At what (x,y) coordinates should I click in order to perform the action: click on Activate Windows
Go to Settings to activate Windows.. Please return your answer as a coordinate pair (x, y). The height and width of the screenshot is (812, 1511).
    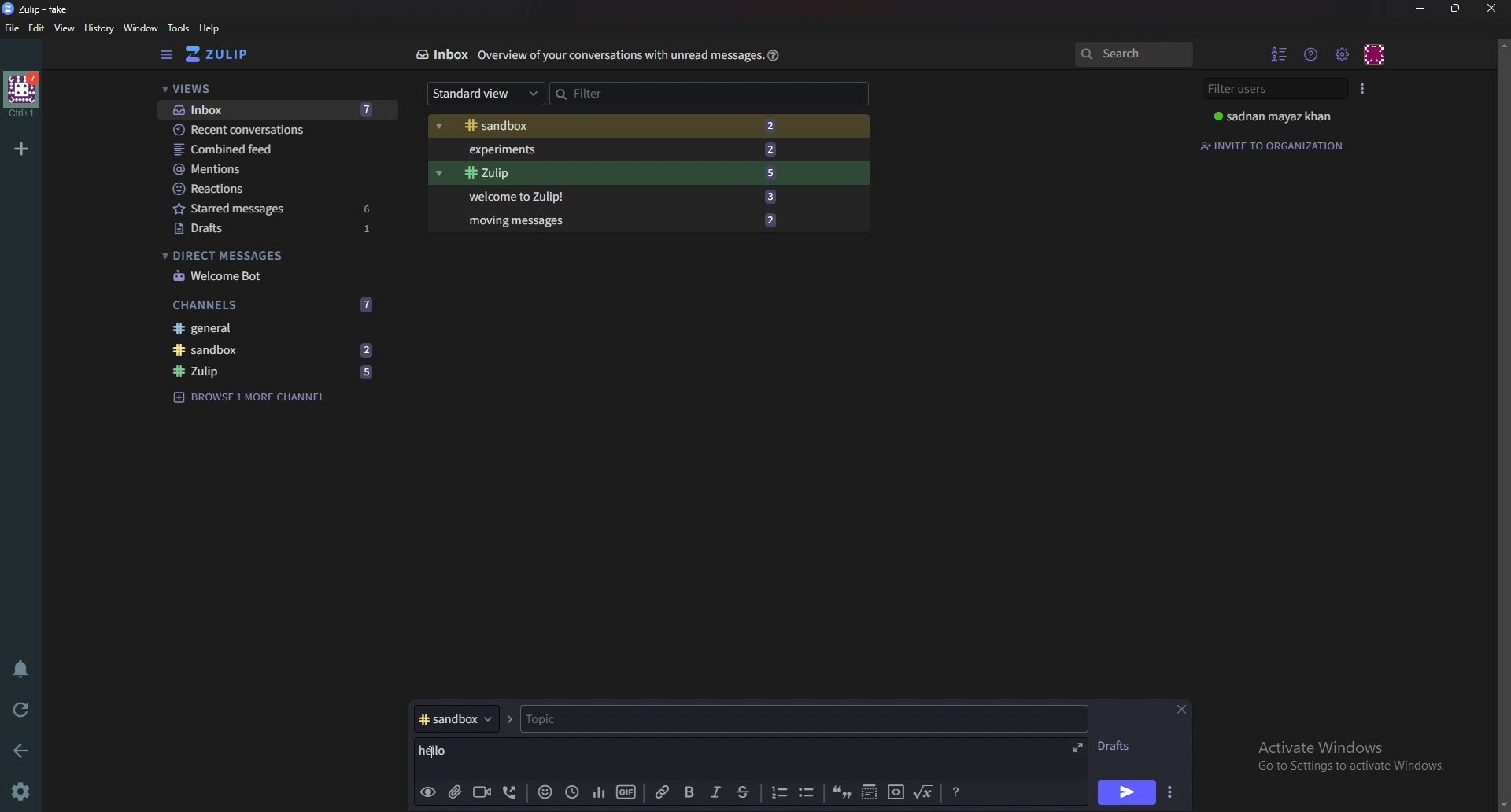
    Looking at the image, I should click on (1349, 754).